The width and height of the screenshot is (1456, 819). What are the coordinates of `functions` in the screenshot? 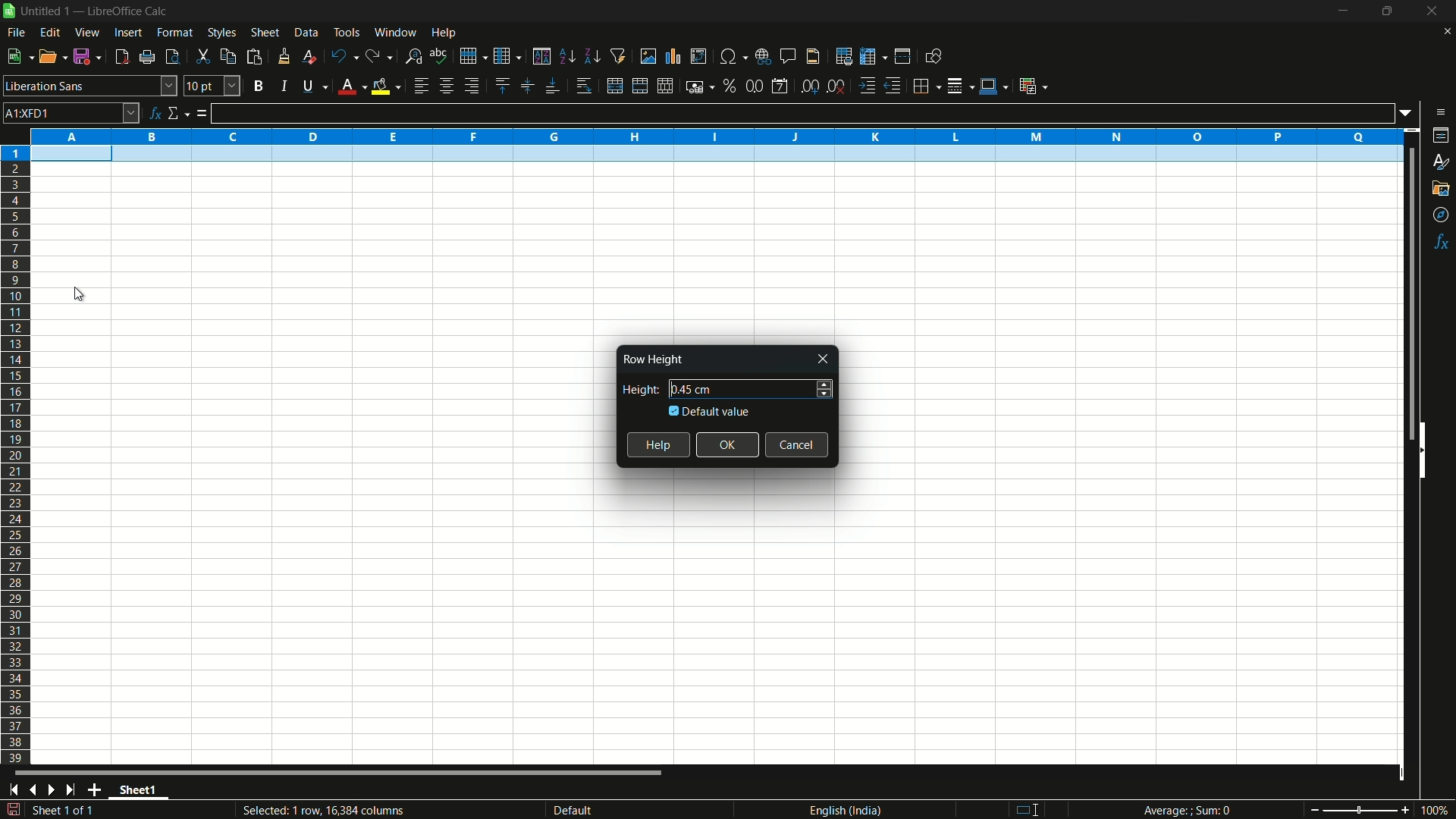 It's located at (1442, 242).